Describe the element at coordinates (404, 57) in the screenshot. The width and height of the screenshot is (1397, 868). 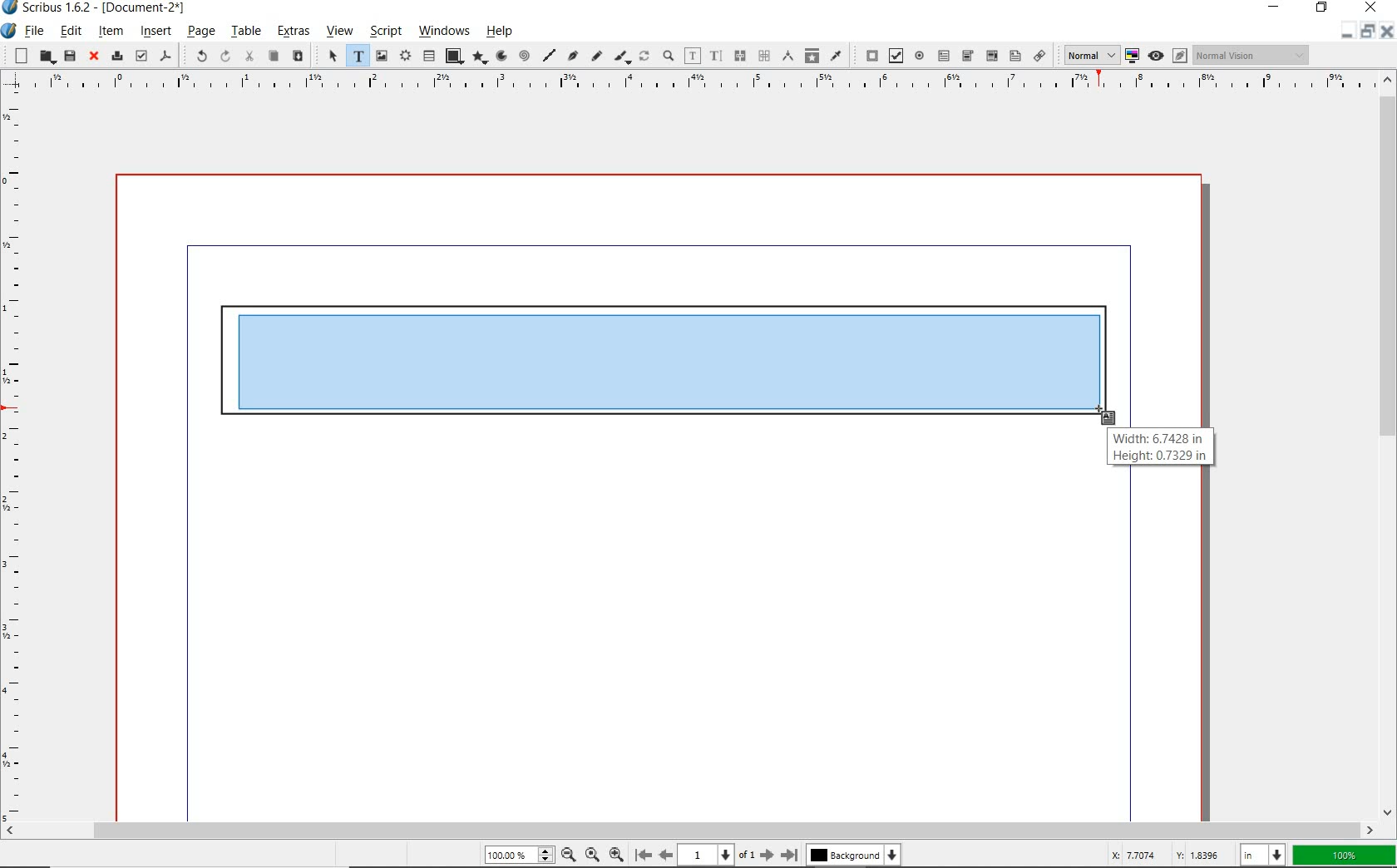
I see `render frame` at that location.